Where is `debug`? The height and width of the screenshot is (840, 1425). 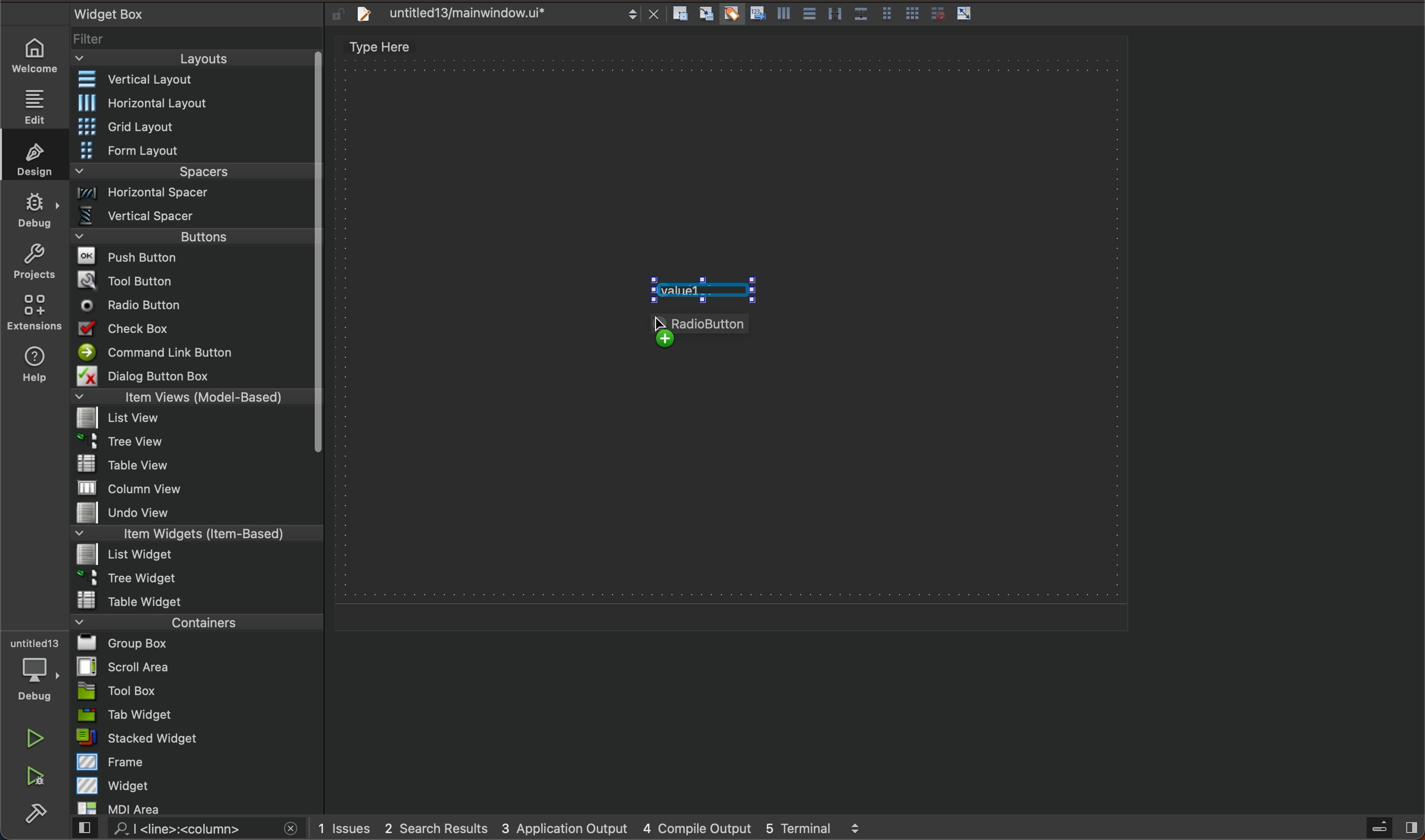 debug is located at coordinates (36, 209).